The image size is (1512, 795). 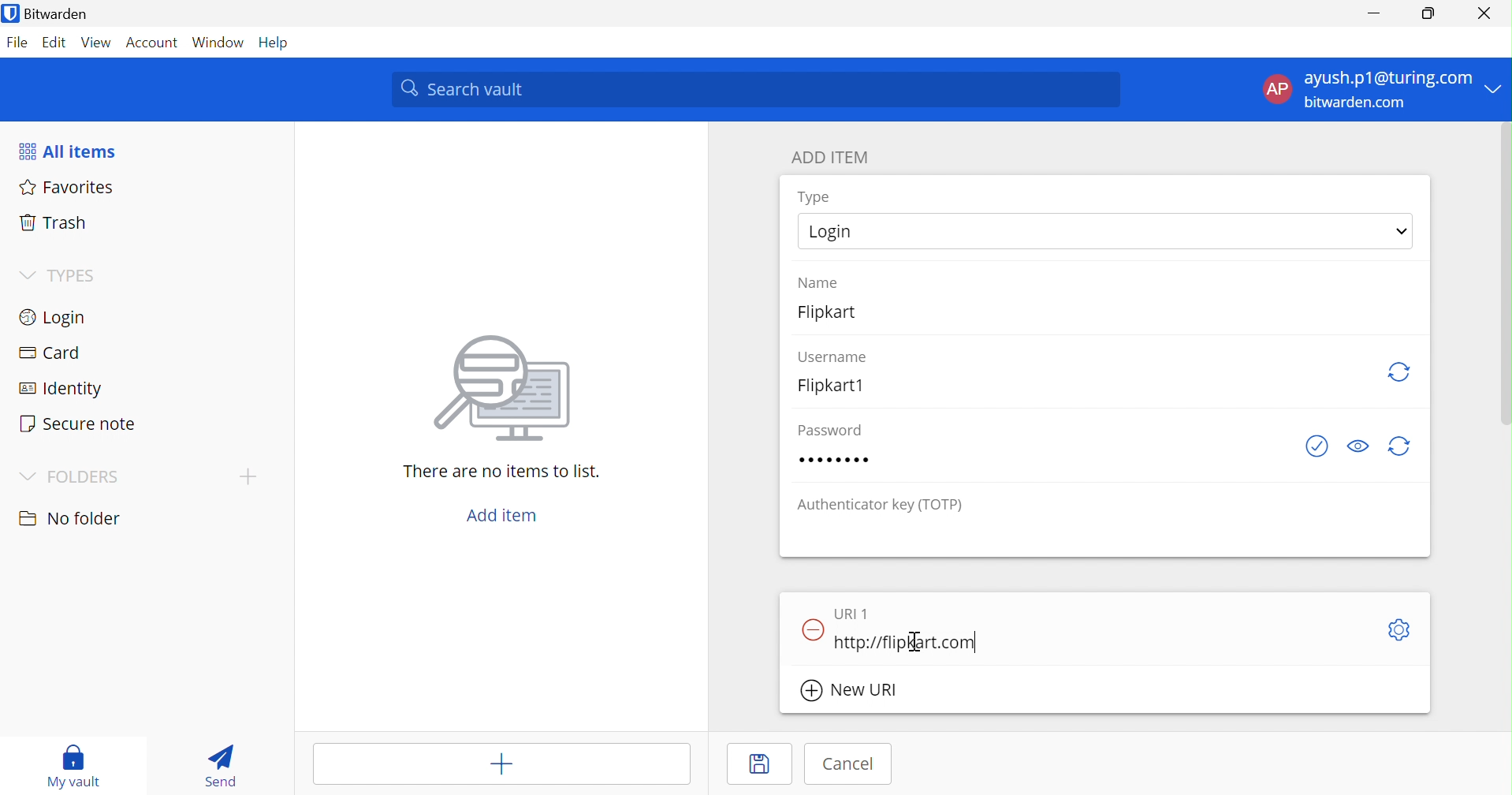 I want to click on Drop Down, so click(x=1402, y=230).